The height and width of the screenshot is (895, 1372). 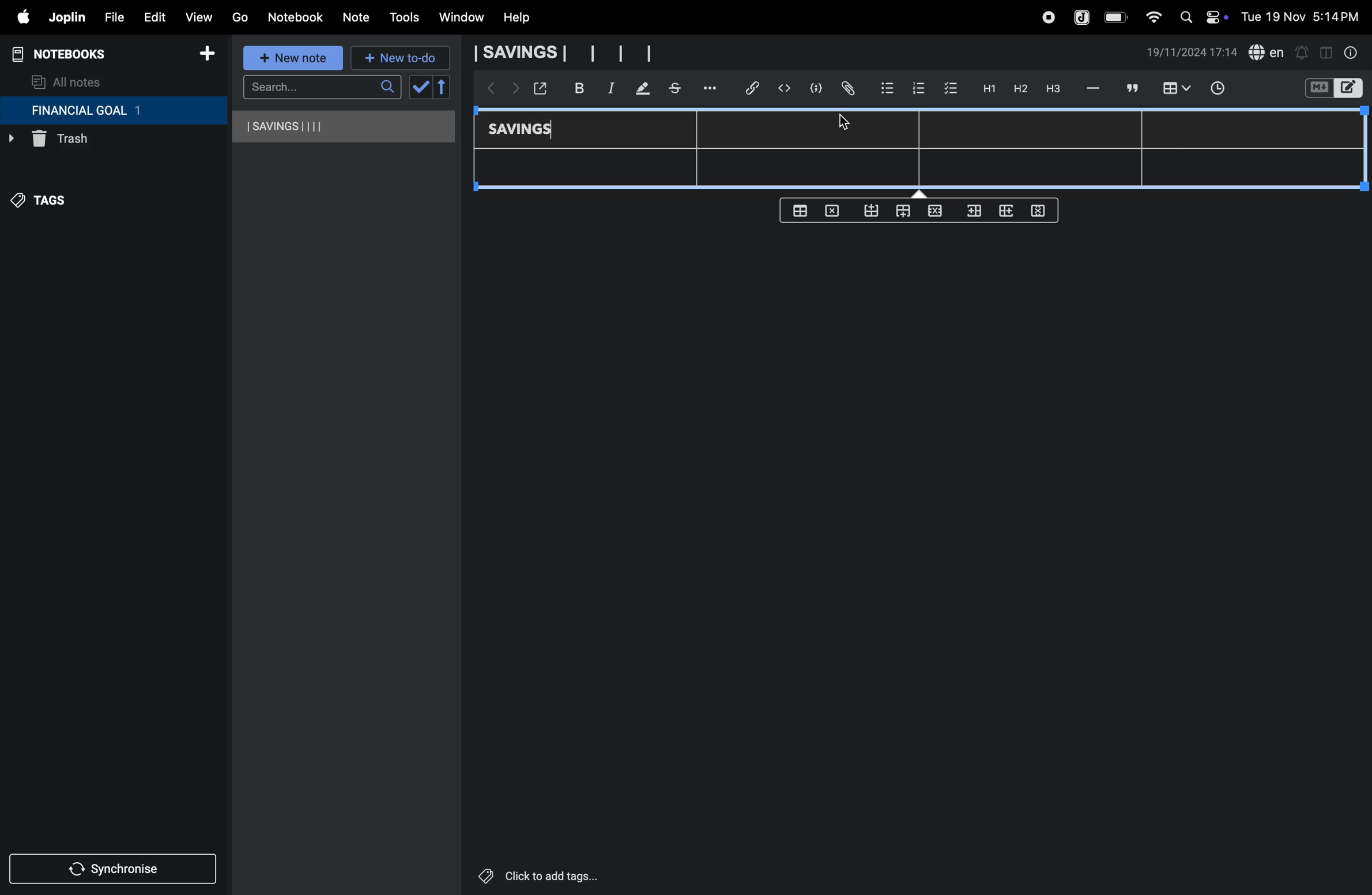 What do you see at coordinates (847, 89) in the screenshot?
I see `attach file` at bounding box center [847, 89].